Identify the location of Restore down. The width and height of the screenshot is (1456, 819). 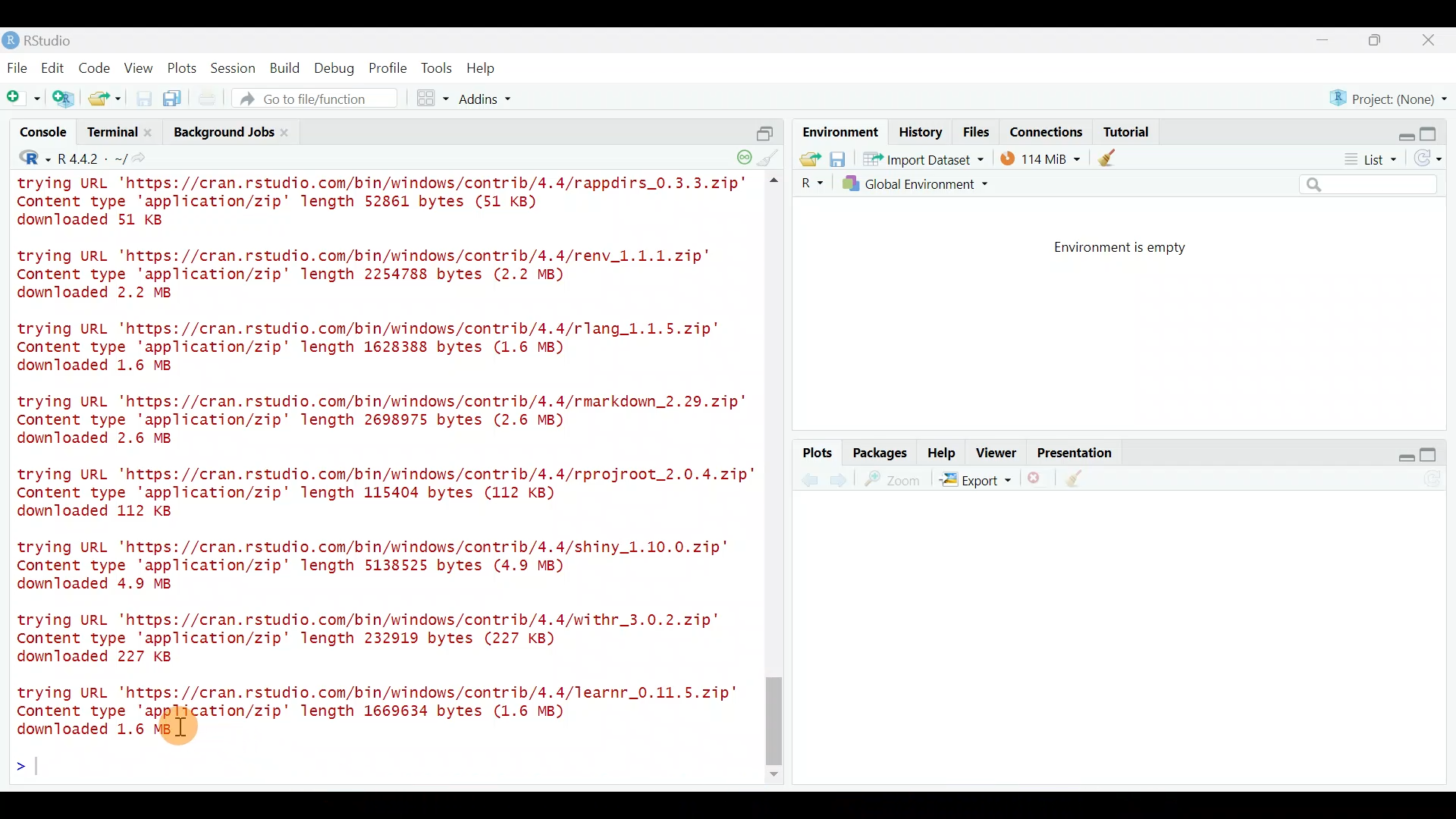
(1400, 131).